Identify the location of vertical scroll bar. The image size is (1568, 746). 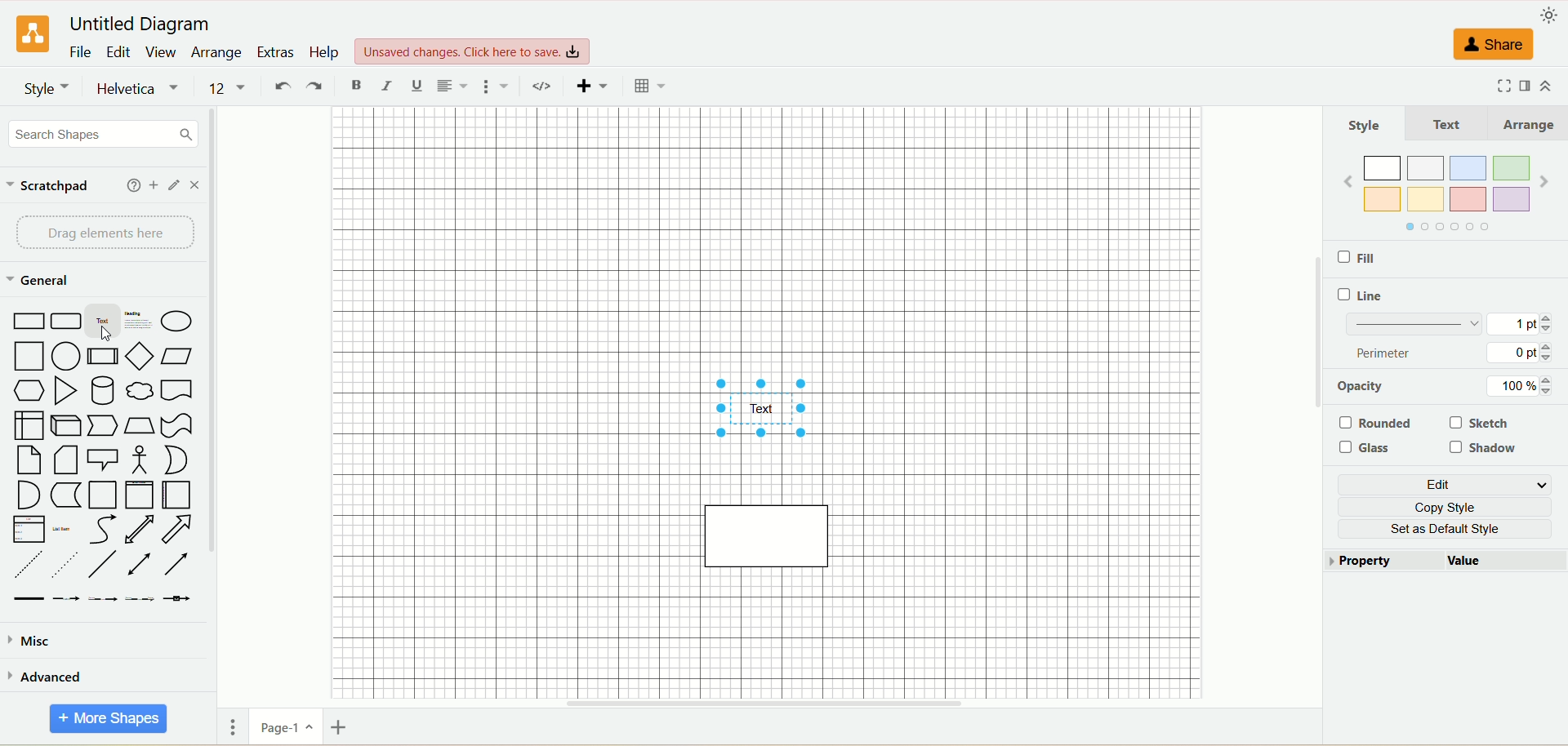
(212, 398).